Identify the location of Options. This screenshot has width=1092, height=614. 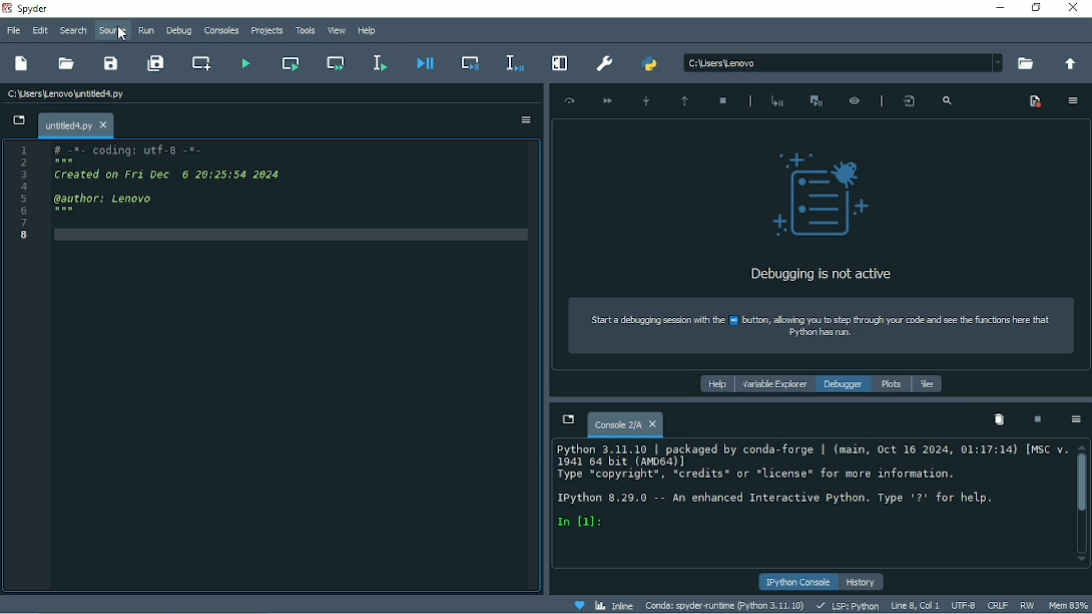
(1076, 420).